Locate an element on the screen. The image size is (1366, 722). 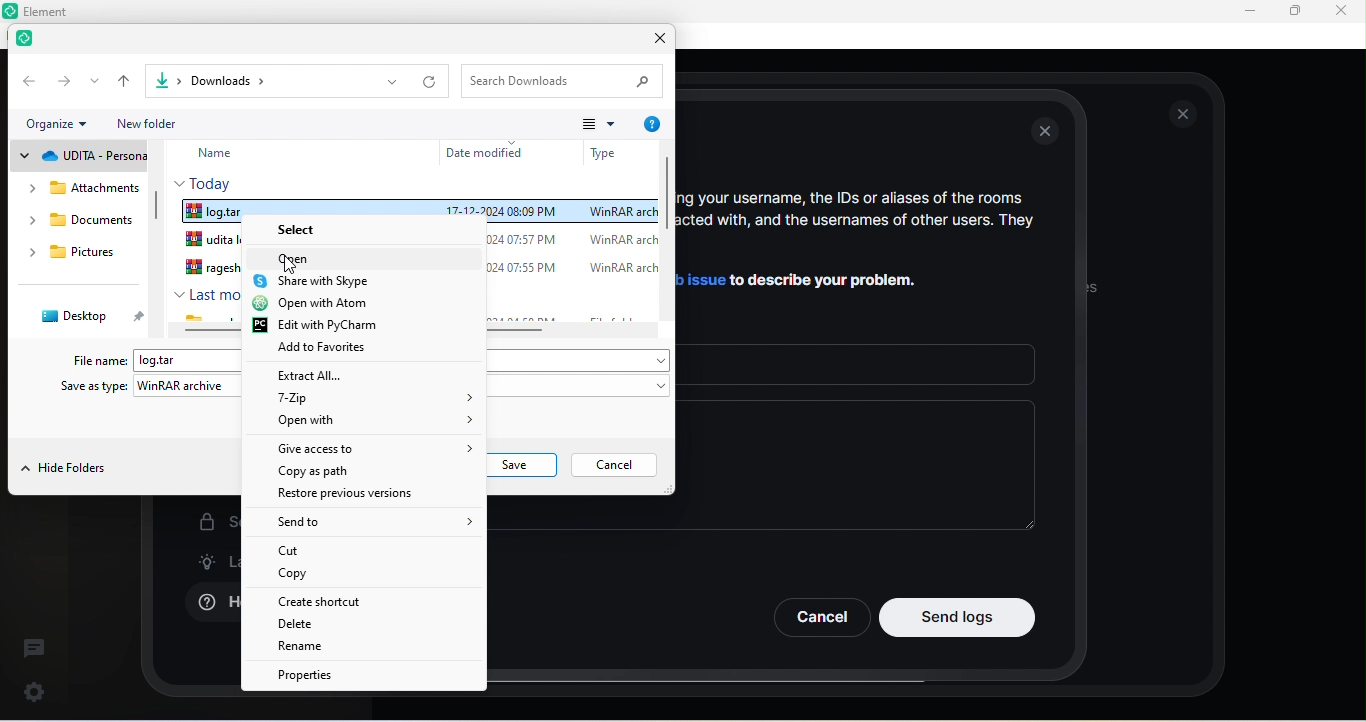
open is located at coordinates (301, 258).